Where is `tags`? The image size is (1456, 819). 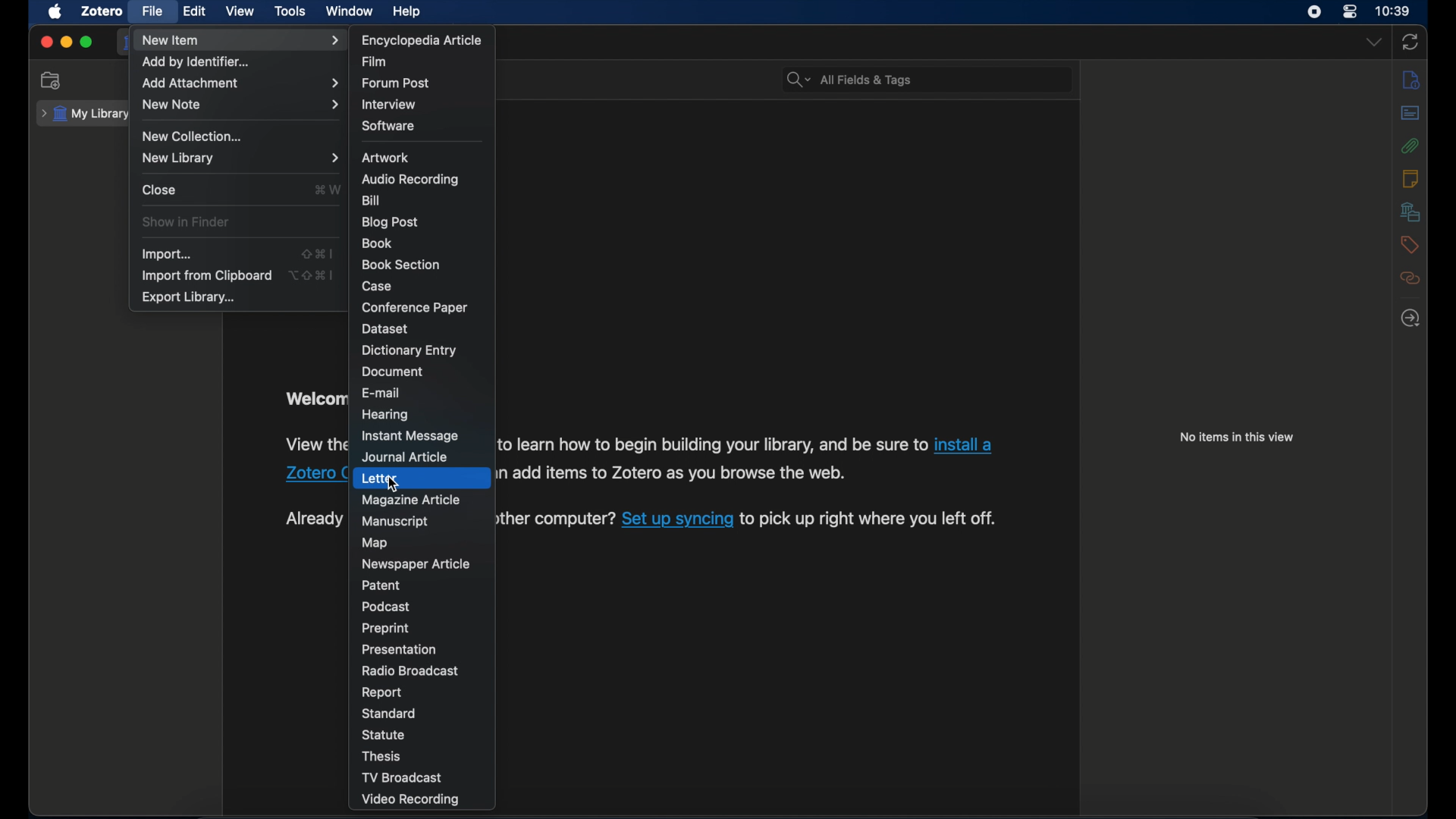 tags is located at coordinates (1407, 245).